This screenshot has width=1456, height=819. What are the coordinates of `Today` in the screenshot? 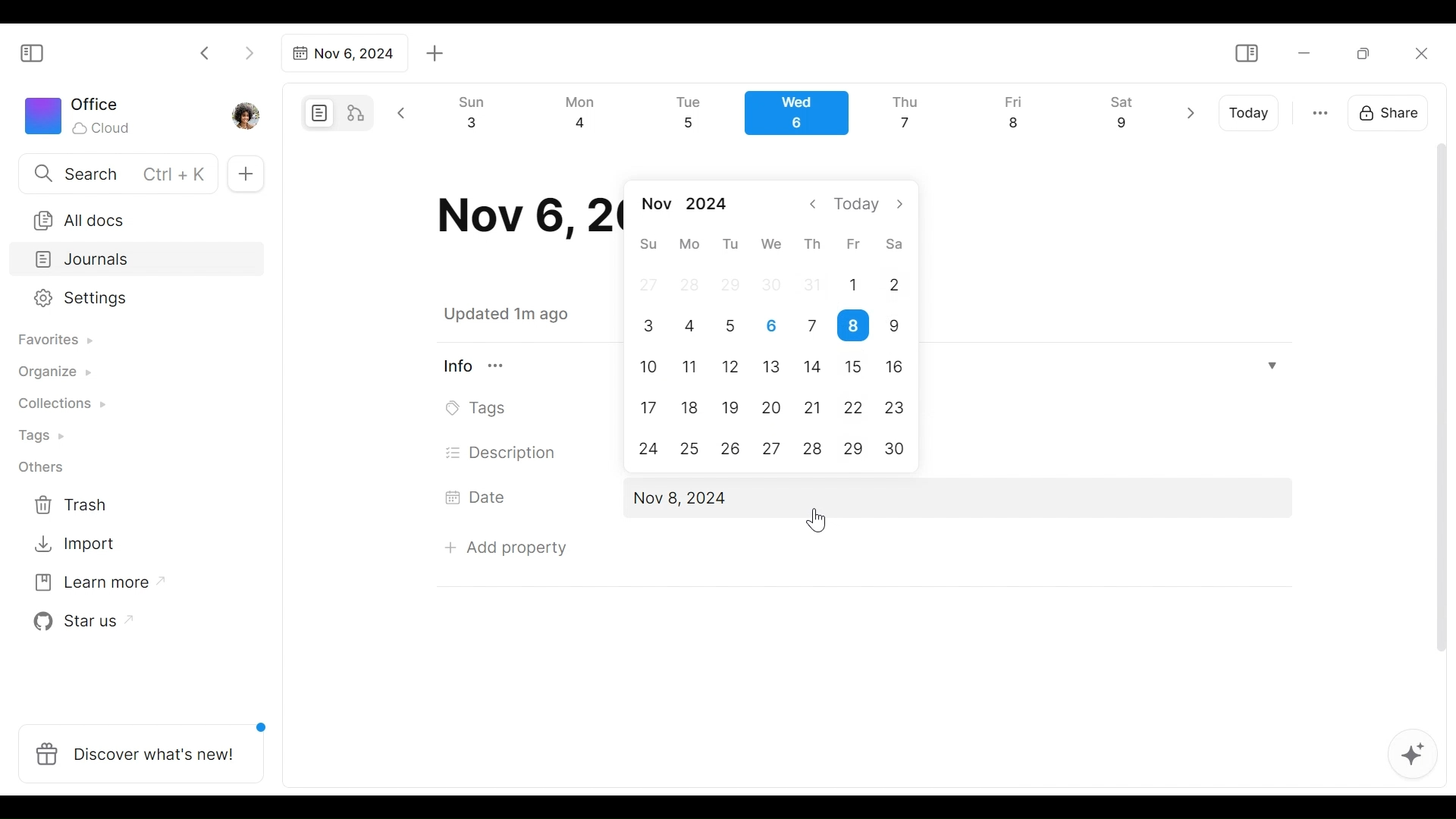 It's located at (1250, 113).